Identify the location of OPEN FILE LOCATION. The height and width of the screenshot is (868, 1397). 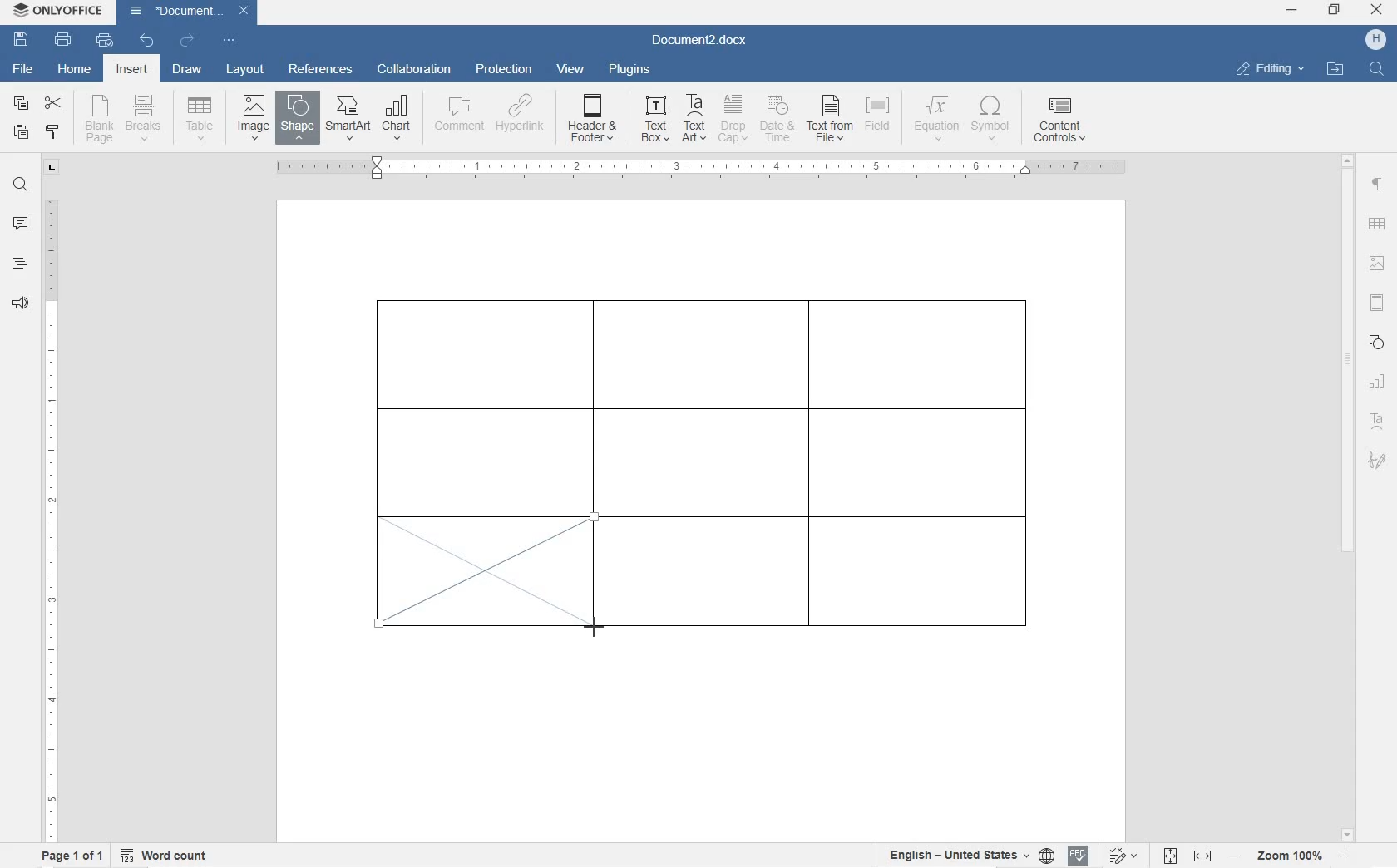
(1337, 70).